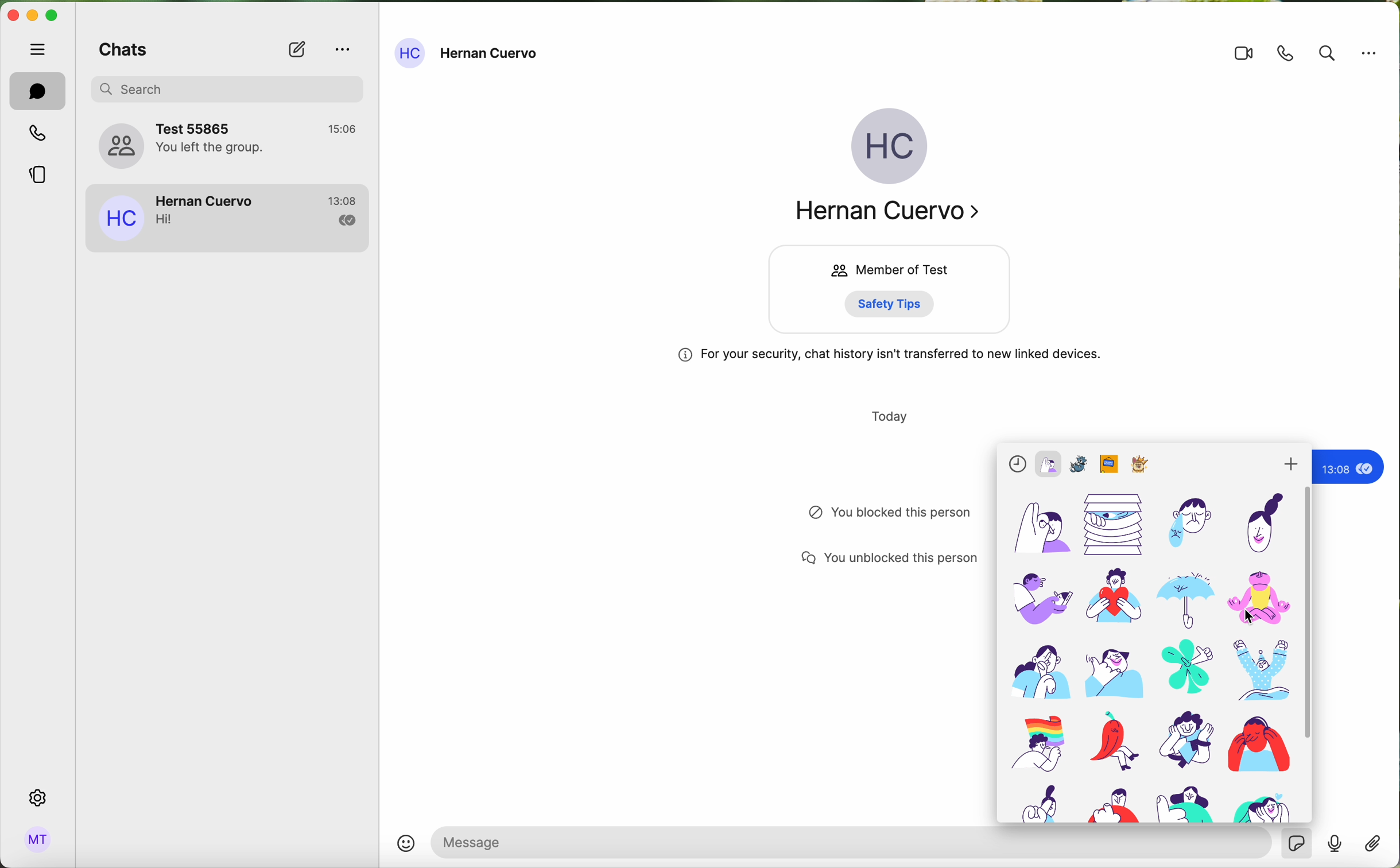 The width and height of the screenshot is (1400, 868). Describe the element at coordinates (1327, 53) in the screenshot. I see `search` at that location.